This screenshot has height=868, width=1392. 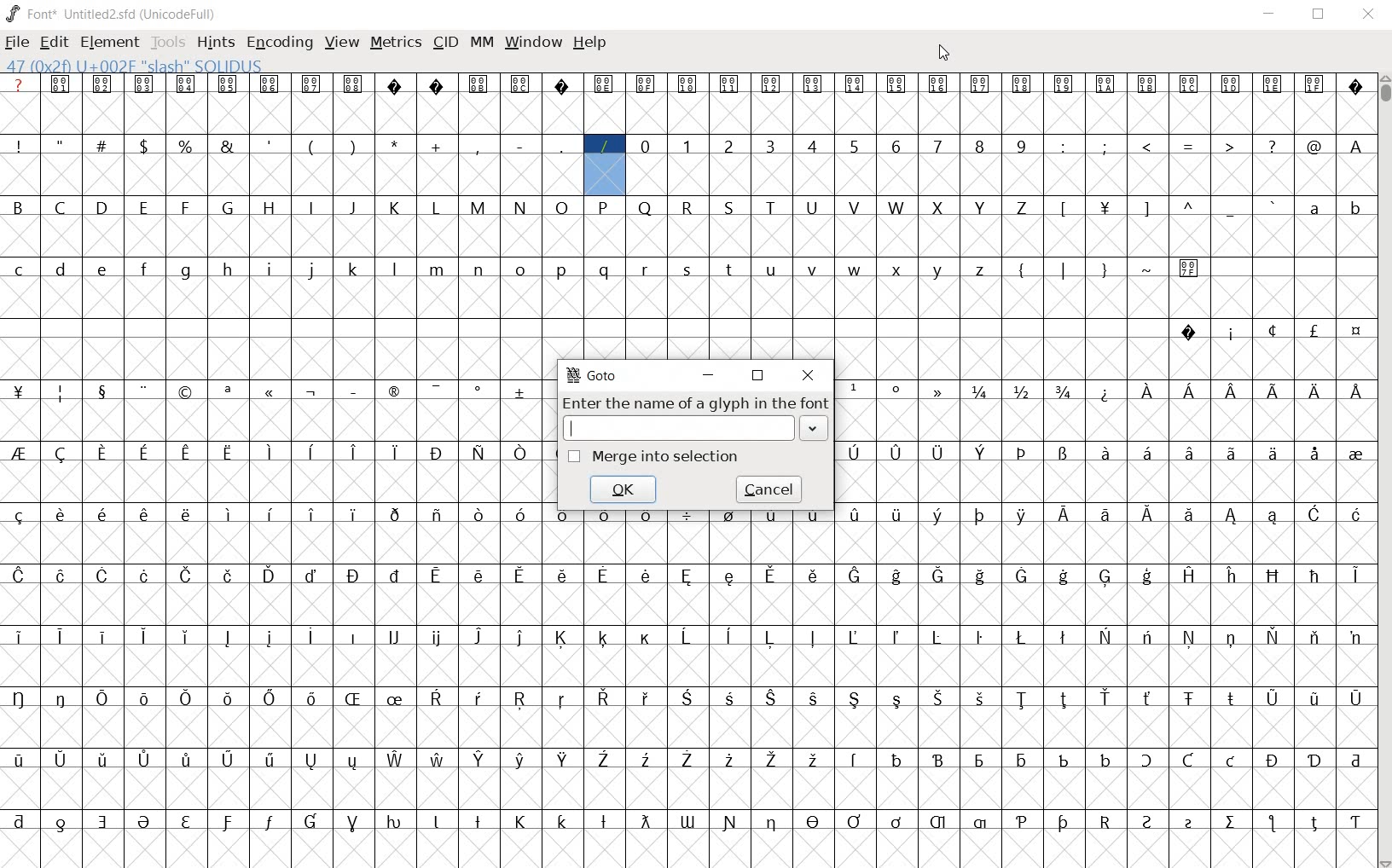 I want to click on glyph, so click(x=1314, y=209).